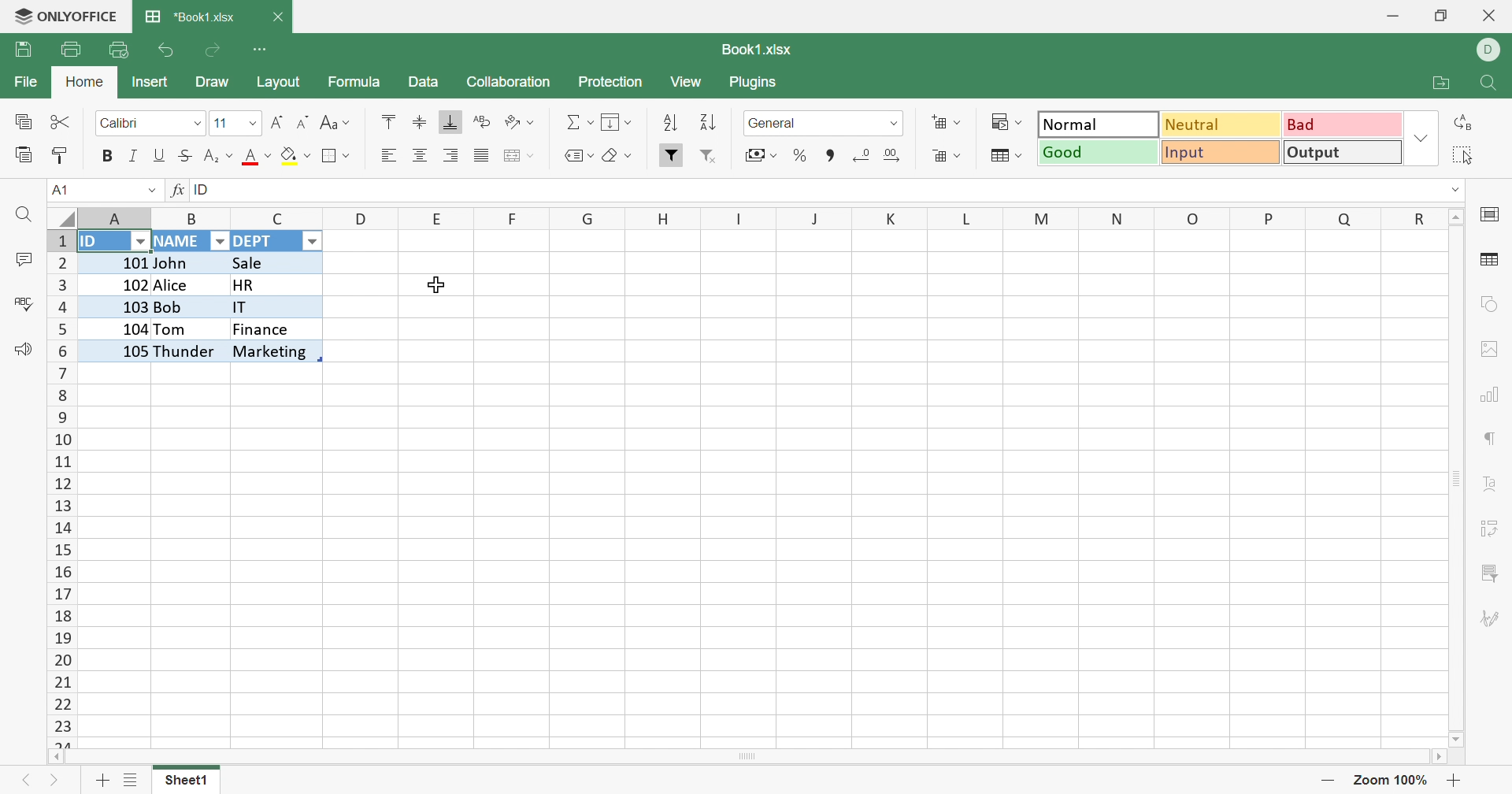 Image resolution: width=1512 pixels, height=794 pixels. I want to click on Finance, so click(264, 331).